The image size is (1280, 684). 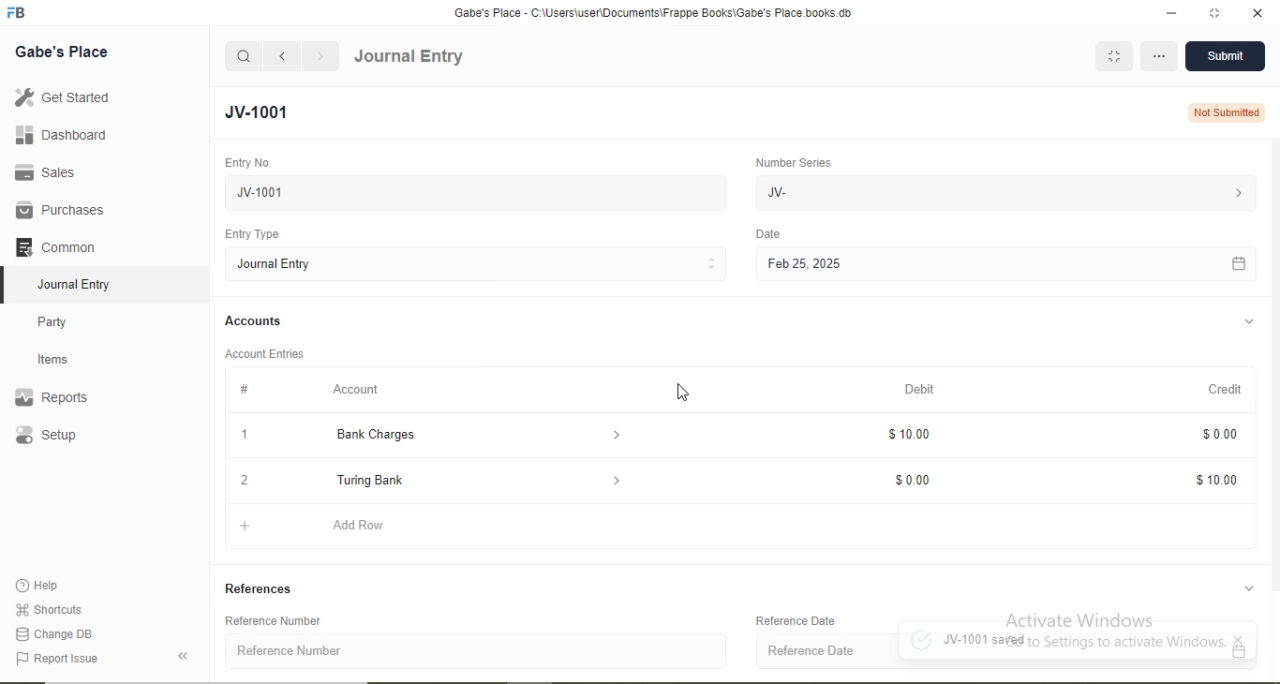 What do you see at coordinates (262, 588) in the screenshot?
I see `References.` at bounding box center [262, 588].